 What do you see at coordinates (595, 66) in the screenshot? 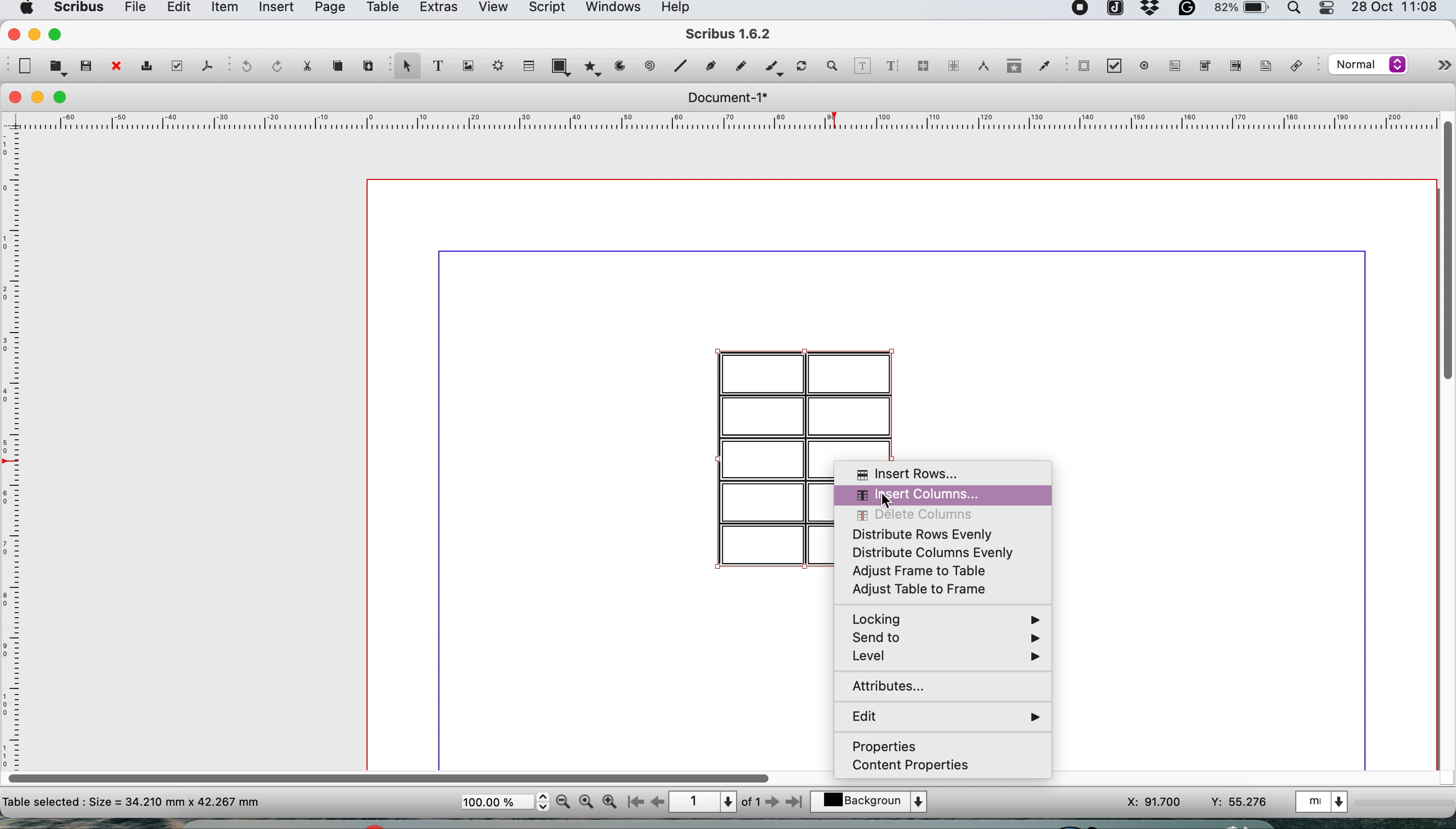
I see `polygon` at bounding box center [595, 66].